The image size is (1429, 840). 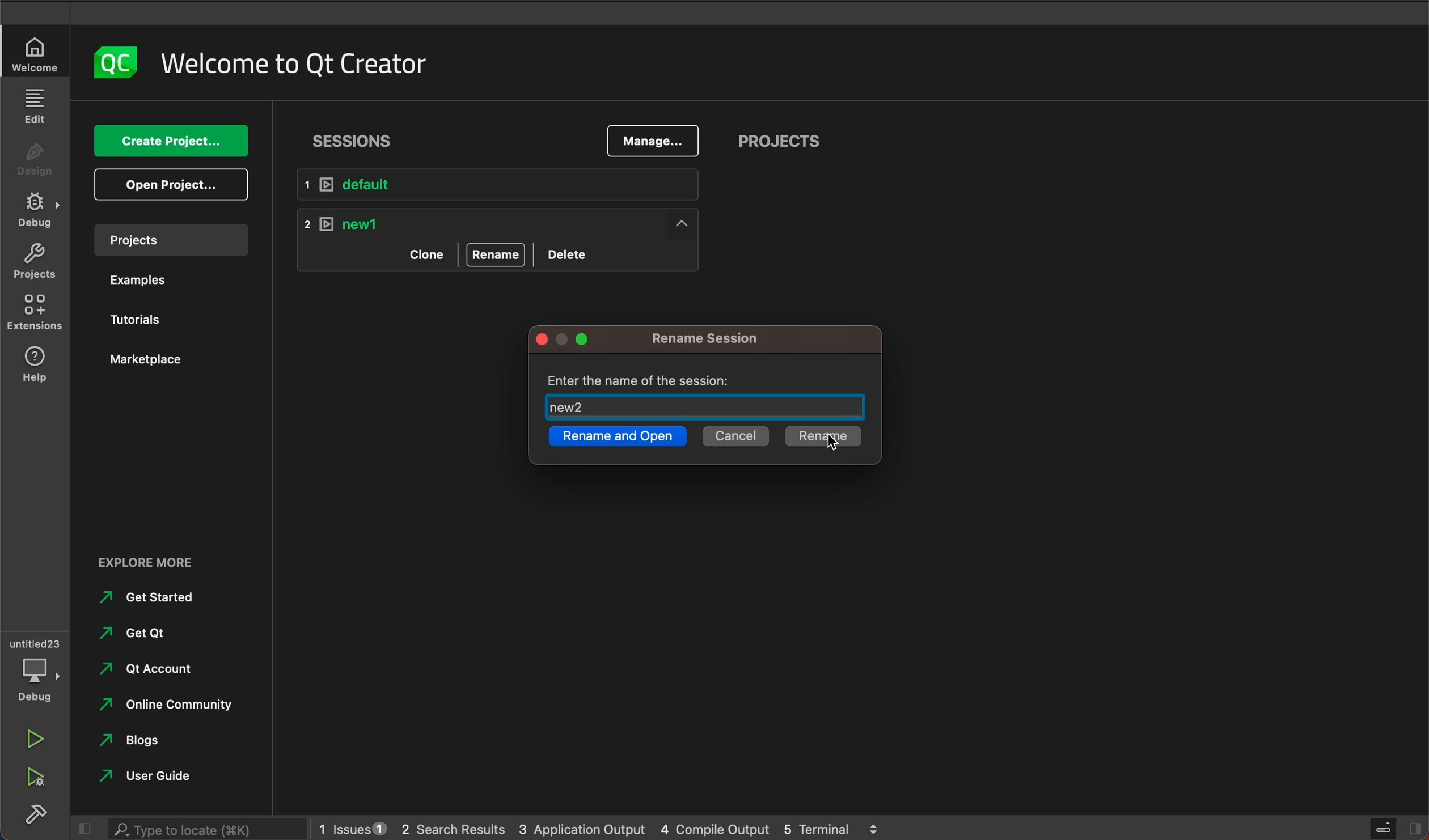 What do you see at coordinates (31, 363) in the screenshot?
I see `help` at bounding box center [31, 363].